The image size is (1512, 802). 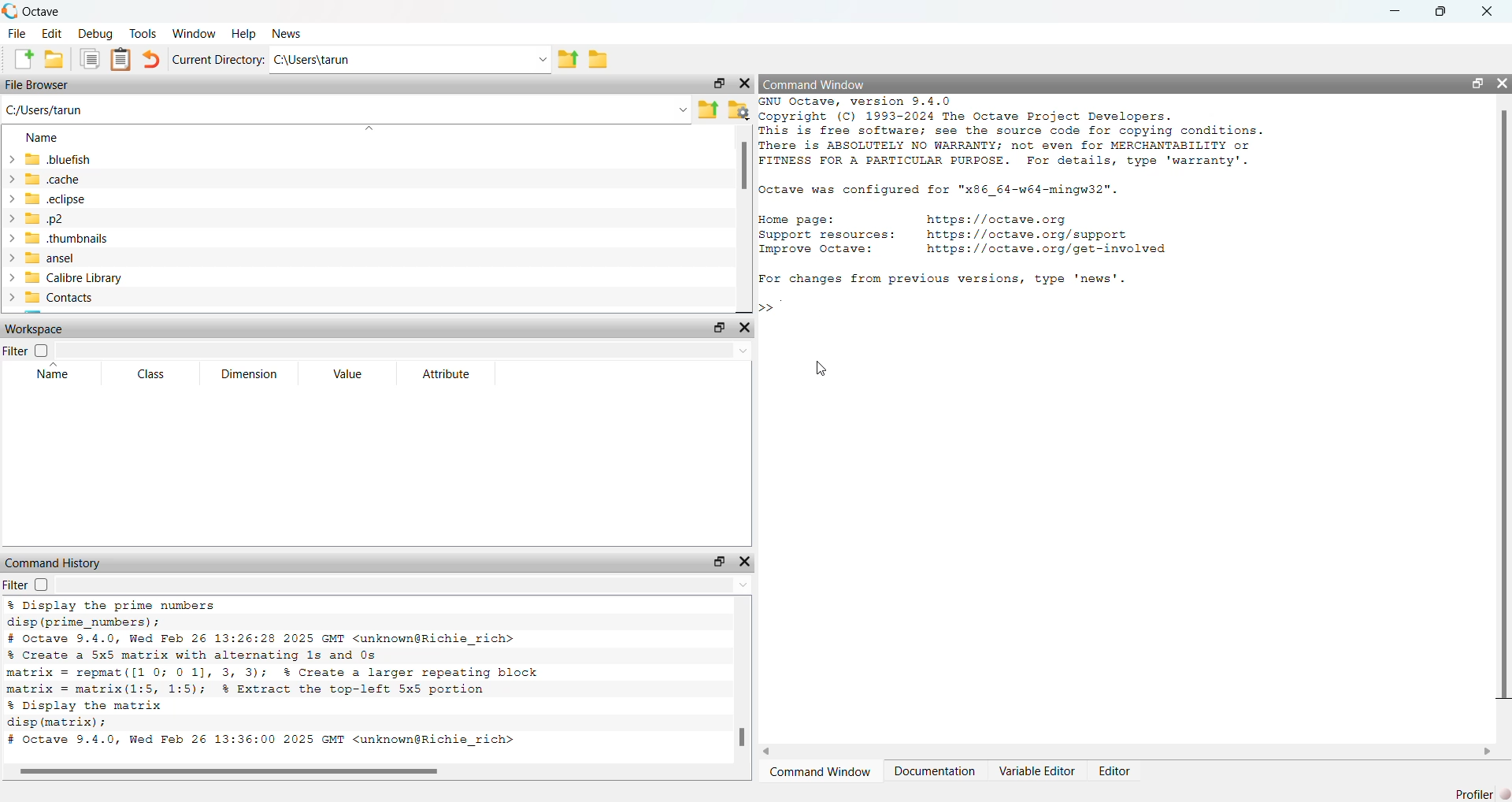 I want to click on code to display matrix, so click(x=90, y=715).